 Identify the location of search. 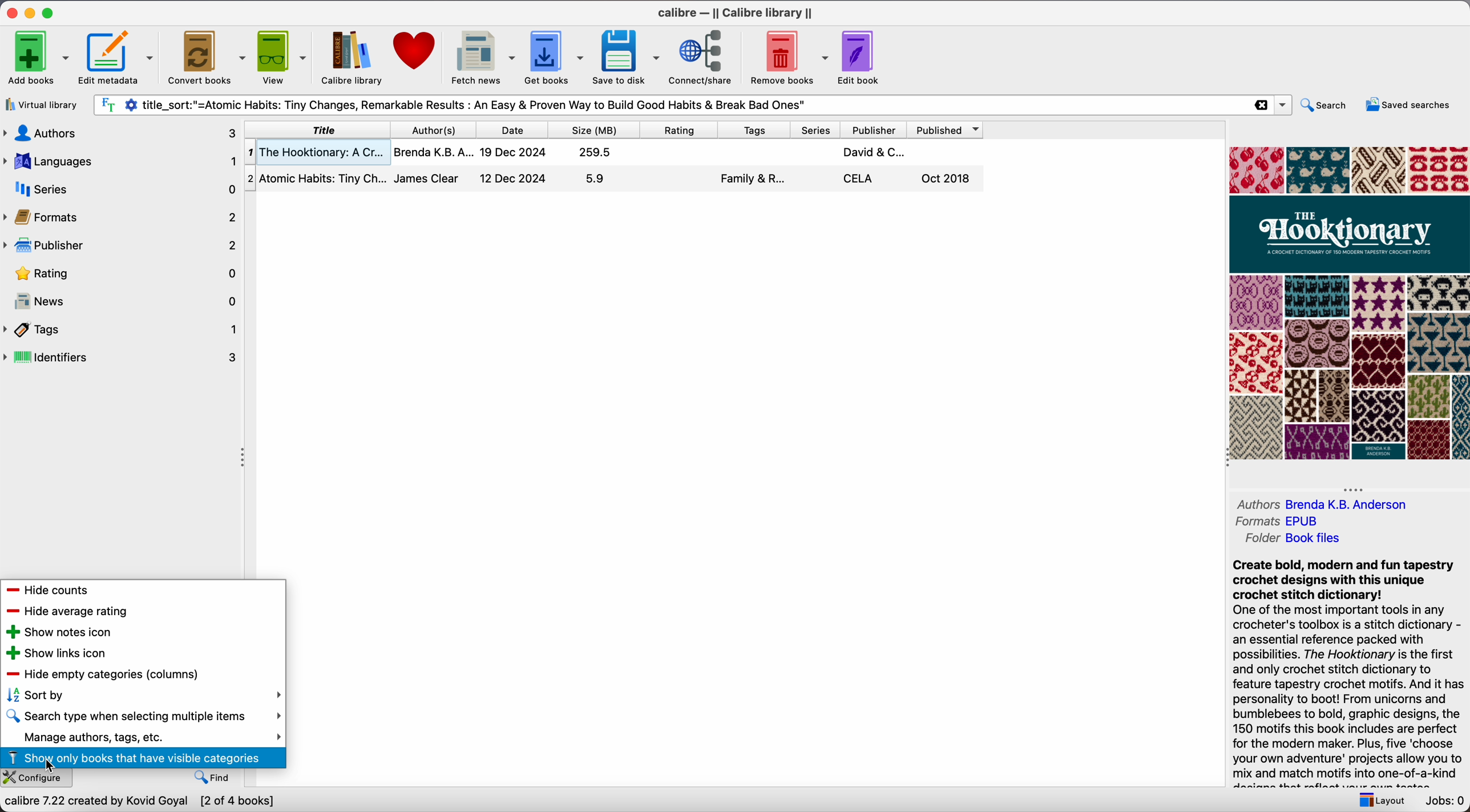
(1327, 107).